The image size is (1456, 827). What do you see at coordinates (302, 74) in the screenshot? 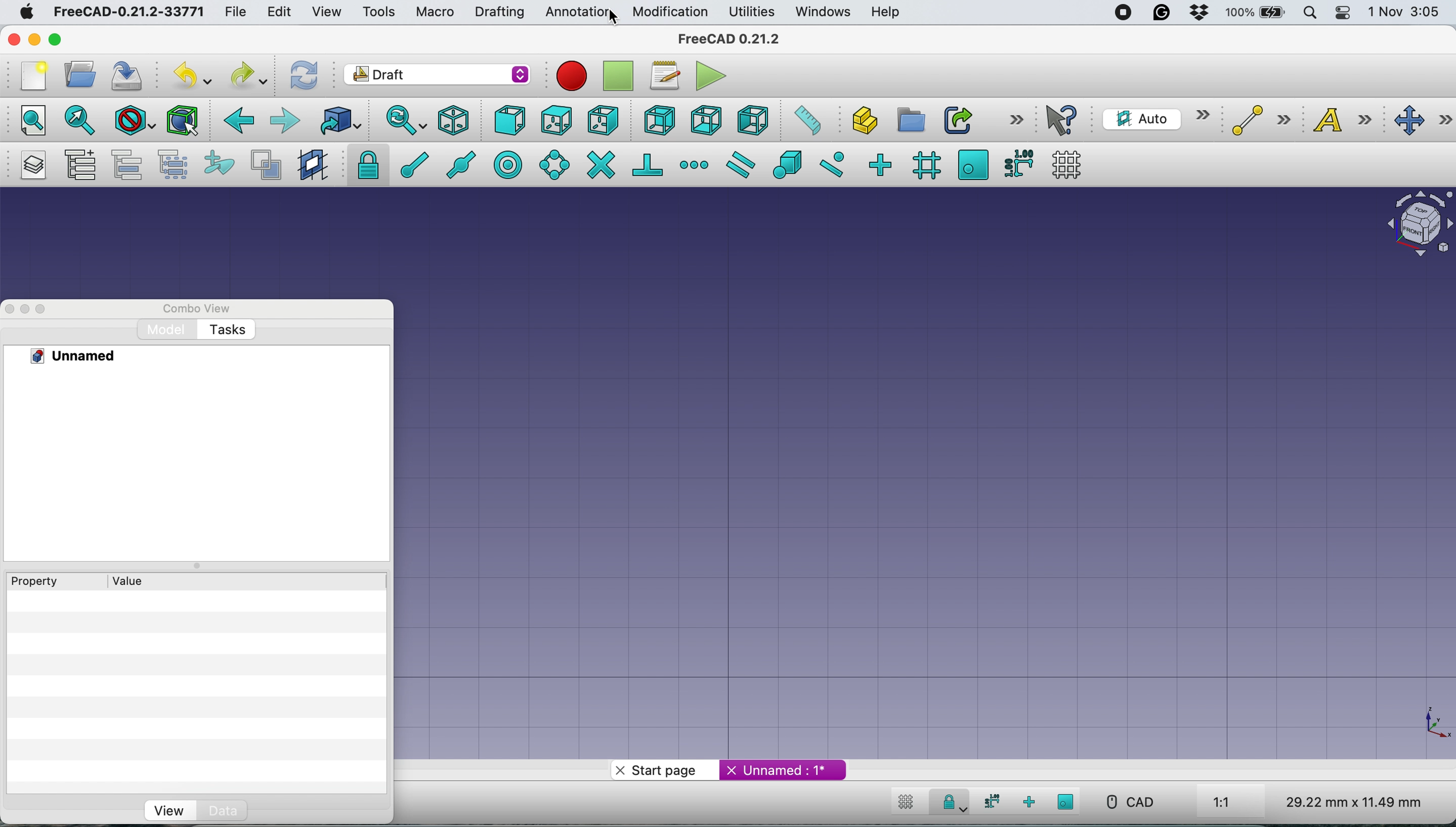
I see `refresh` at bounding box center [302, 74].